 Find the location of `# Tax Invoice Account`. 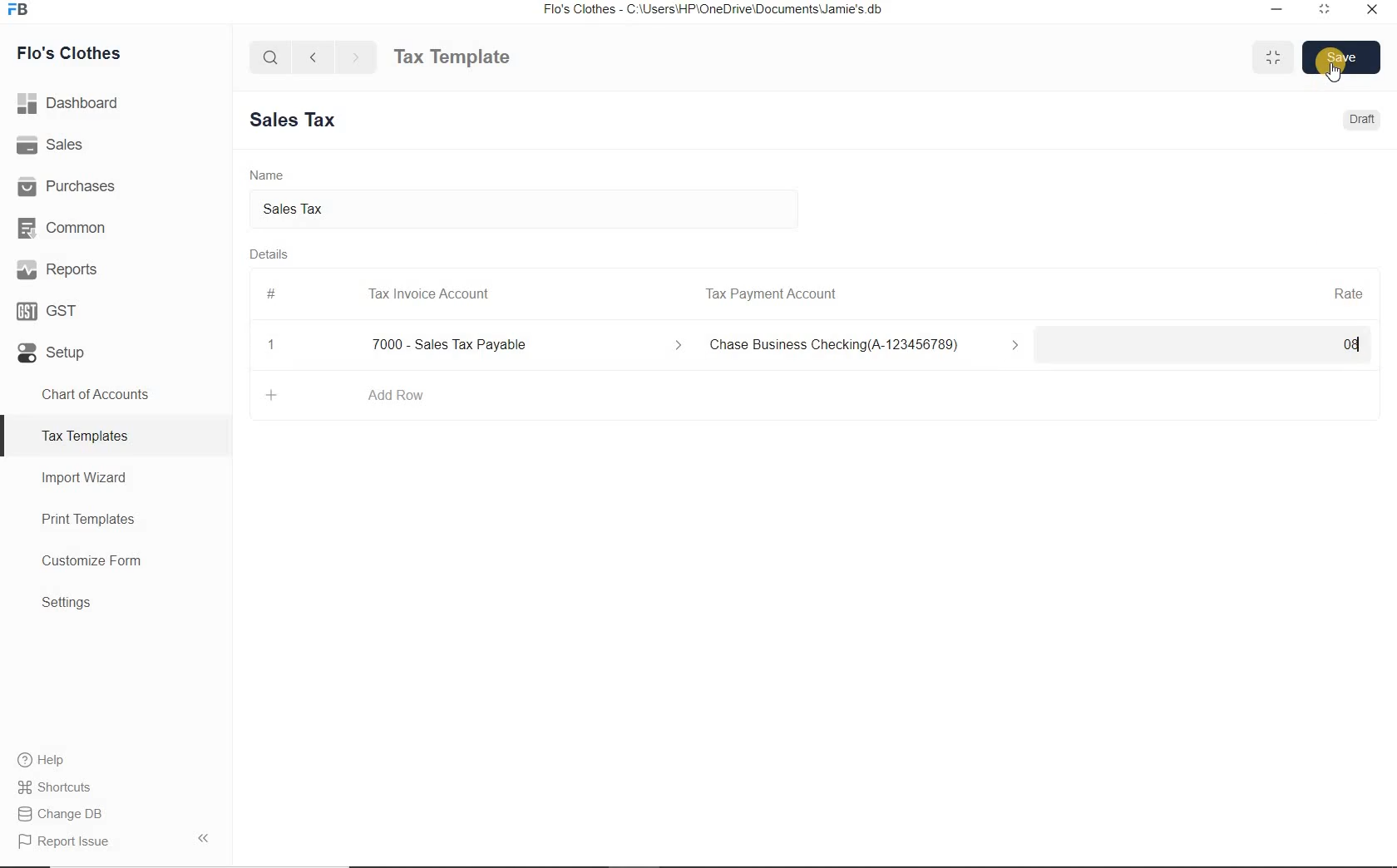

# Tax Invoice Account is located at coordinates (380, 295).